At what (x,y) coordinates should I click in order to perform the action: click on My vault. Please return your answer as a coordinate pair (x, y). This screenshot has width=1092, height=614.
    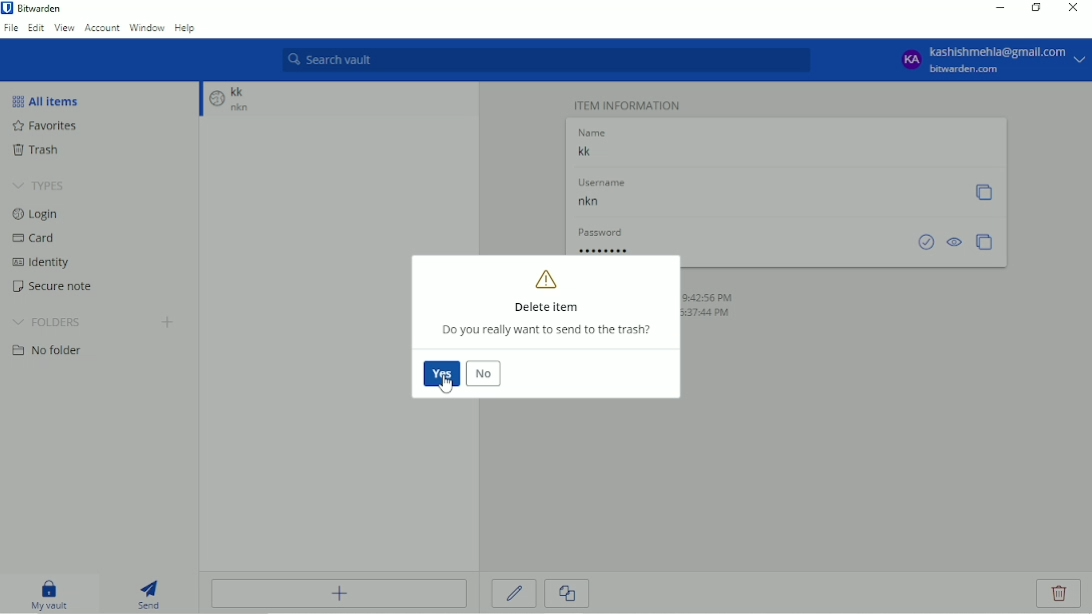
    Looking at the image, I should click on (51, 594).